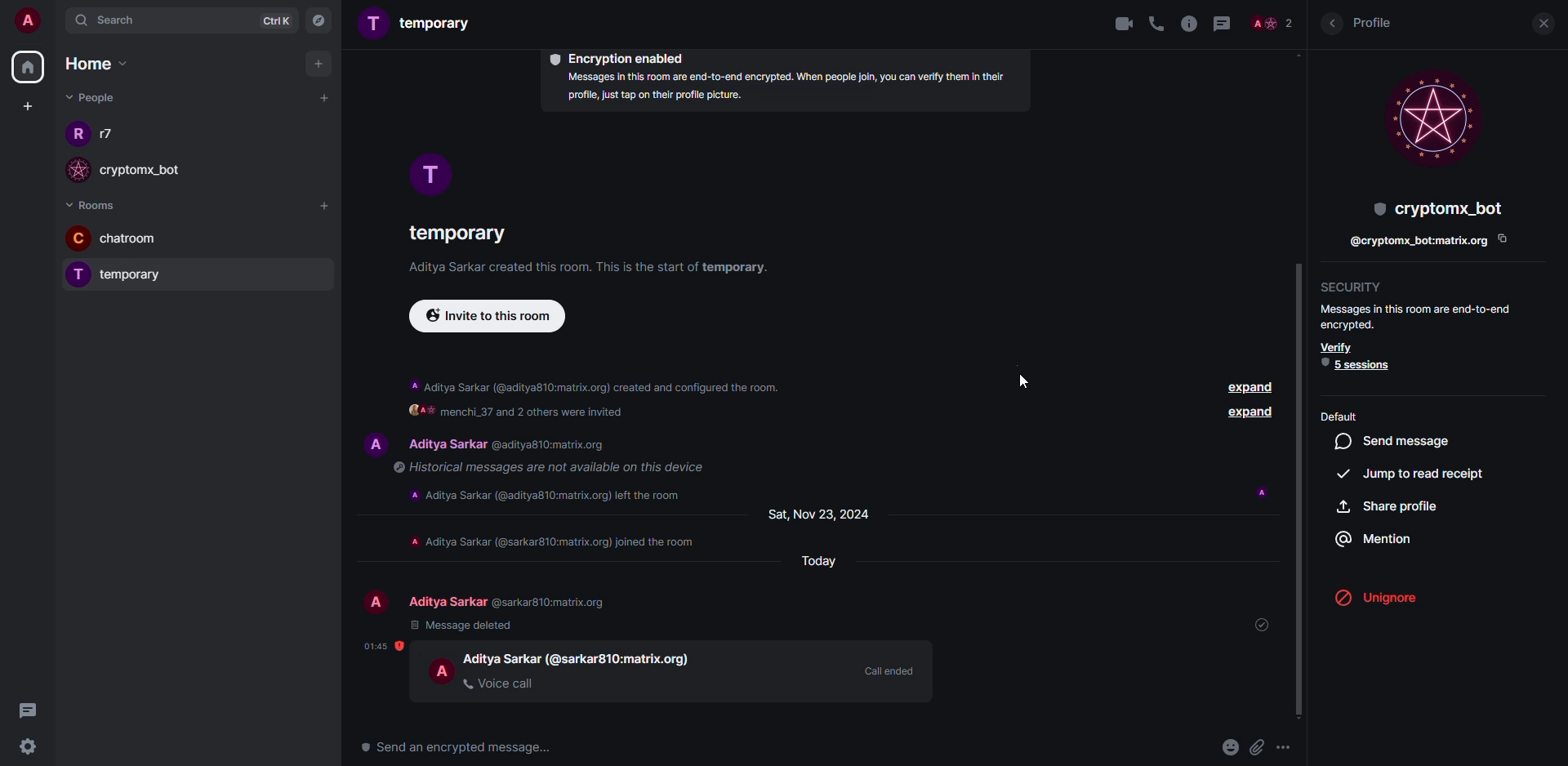 The width and height of the screenshot is (1568, 766). Describe the element at coordinates (1251, 413) in the screenshot. I see `expand` at that location.